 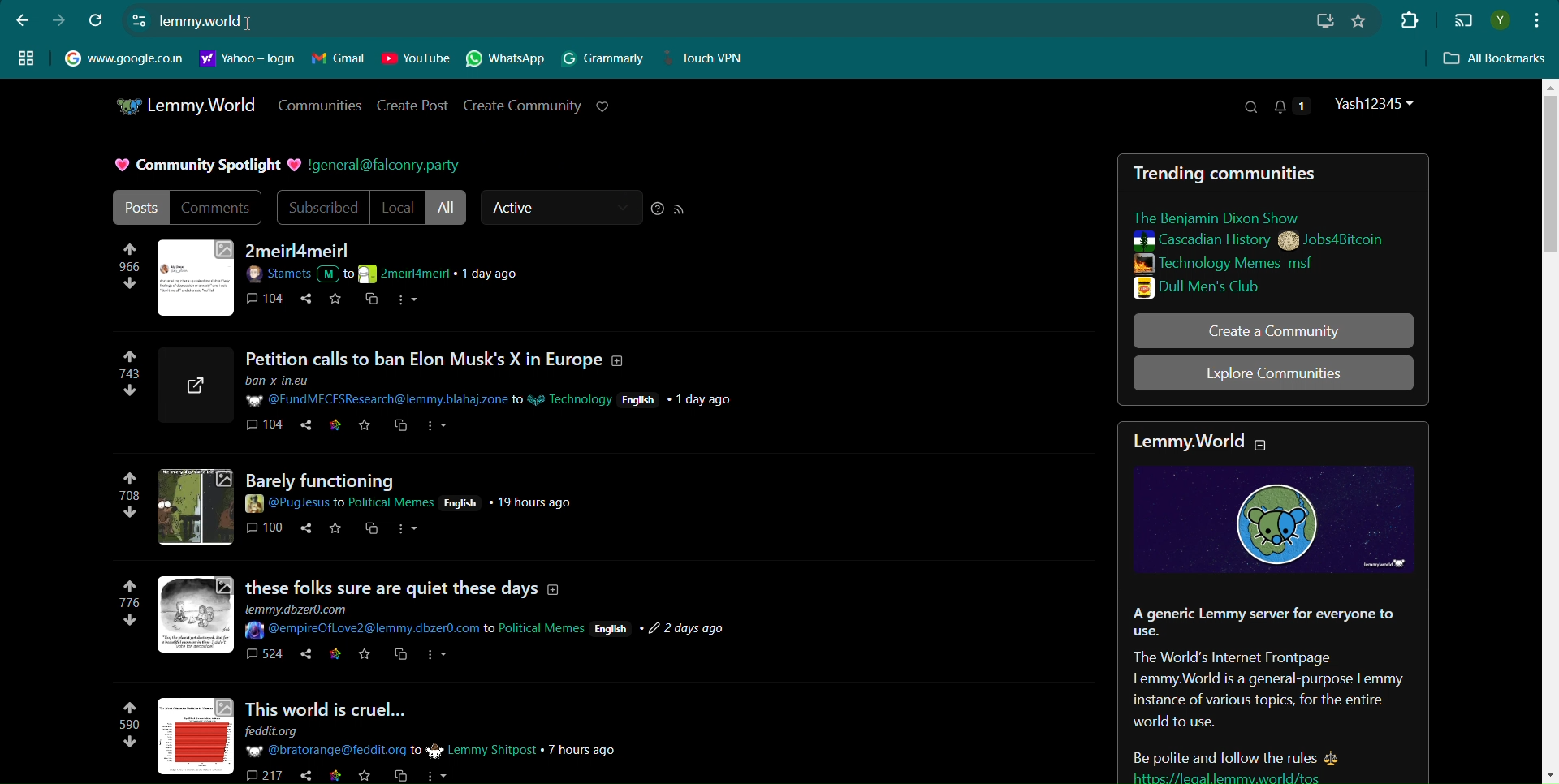 I want to click on Extensions, so click(x=1407, y=19).